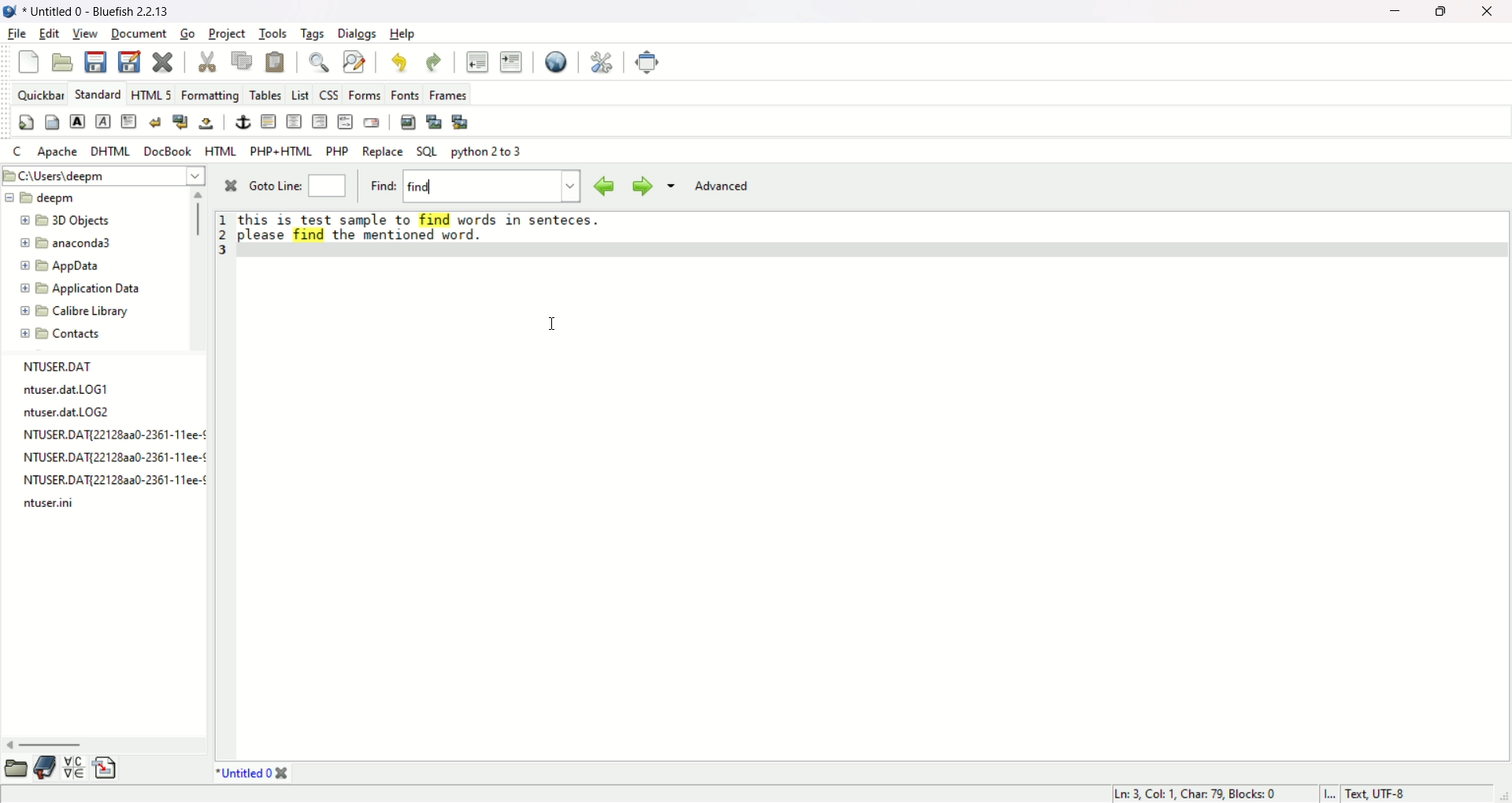  What do you see at coordinates (226, 32) in the screenshot?
I see `project` at bounding box center [226, 32].